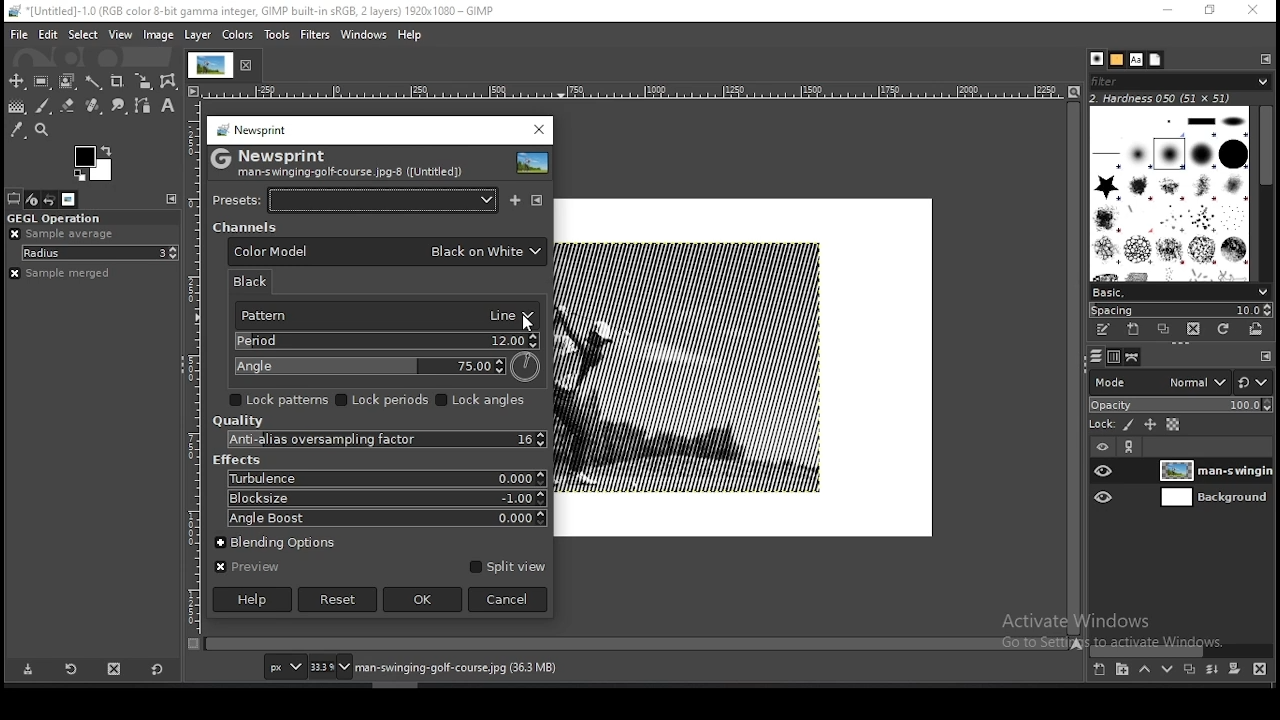 The height and width of the screenshot is (720, 1280). I want to click on lock, so click(1103, 424).